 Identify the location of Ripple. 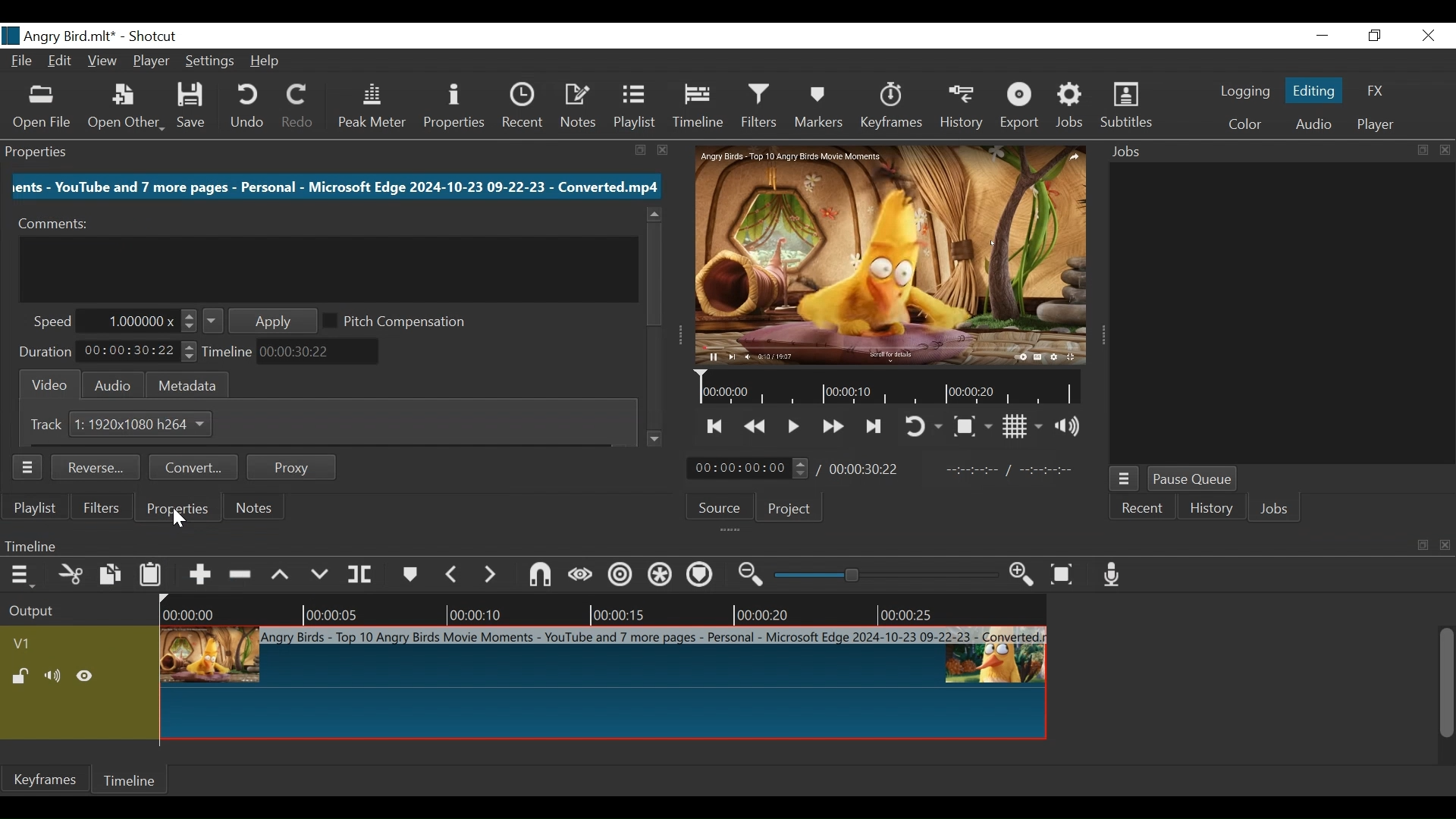
(618, 576).